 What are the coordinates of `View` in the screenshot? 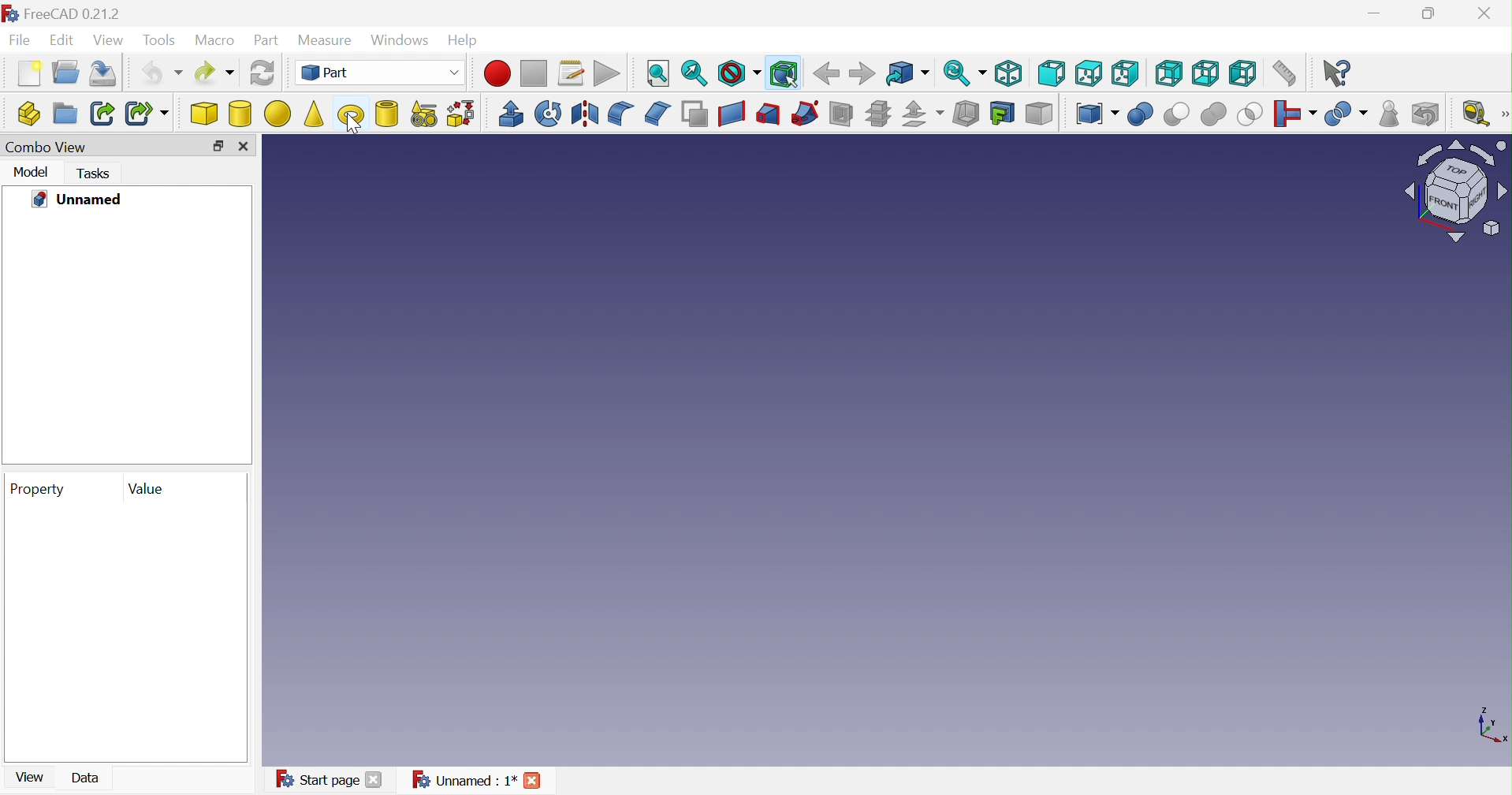 It's located at (109, 41).